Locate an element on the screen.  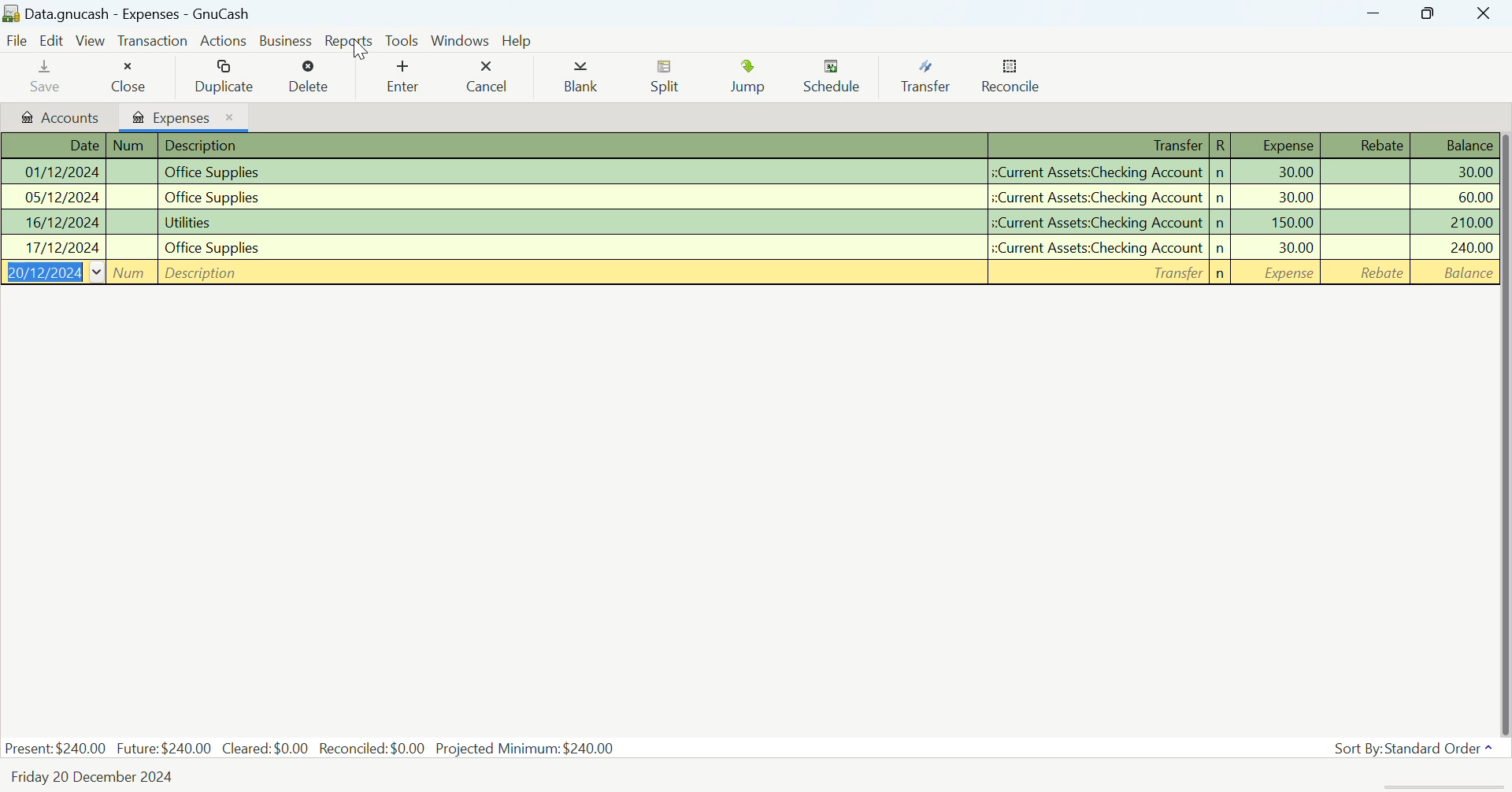
Cursor on Reports is located at coordinates (358, 49).